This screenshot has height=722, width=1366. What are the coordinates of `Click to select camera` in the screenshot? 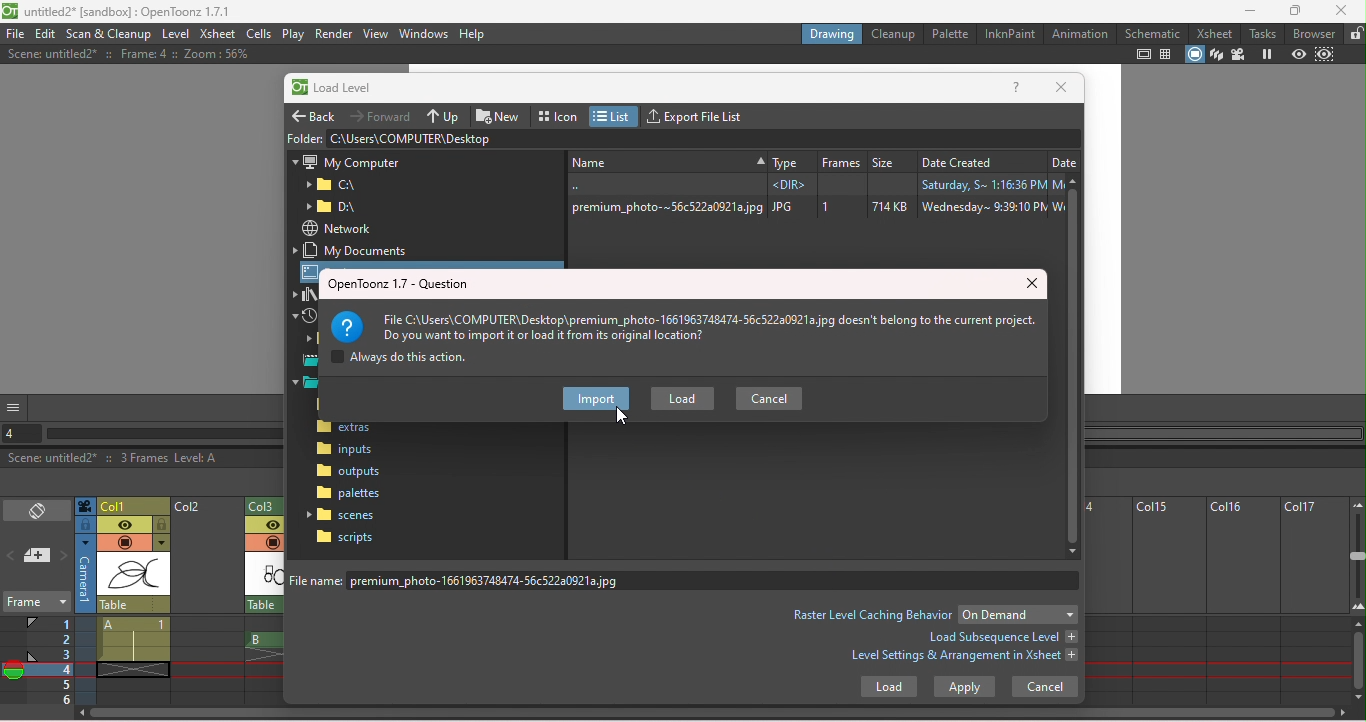 It's located at (85, 506).